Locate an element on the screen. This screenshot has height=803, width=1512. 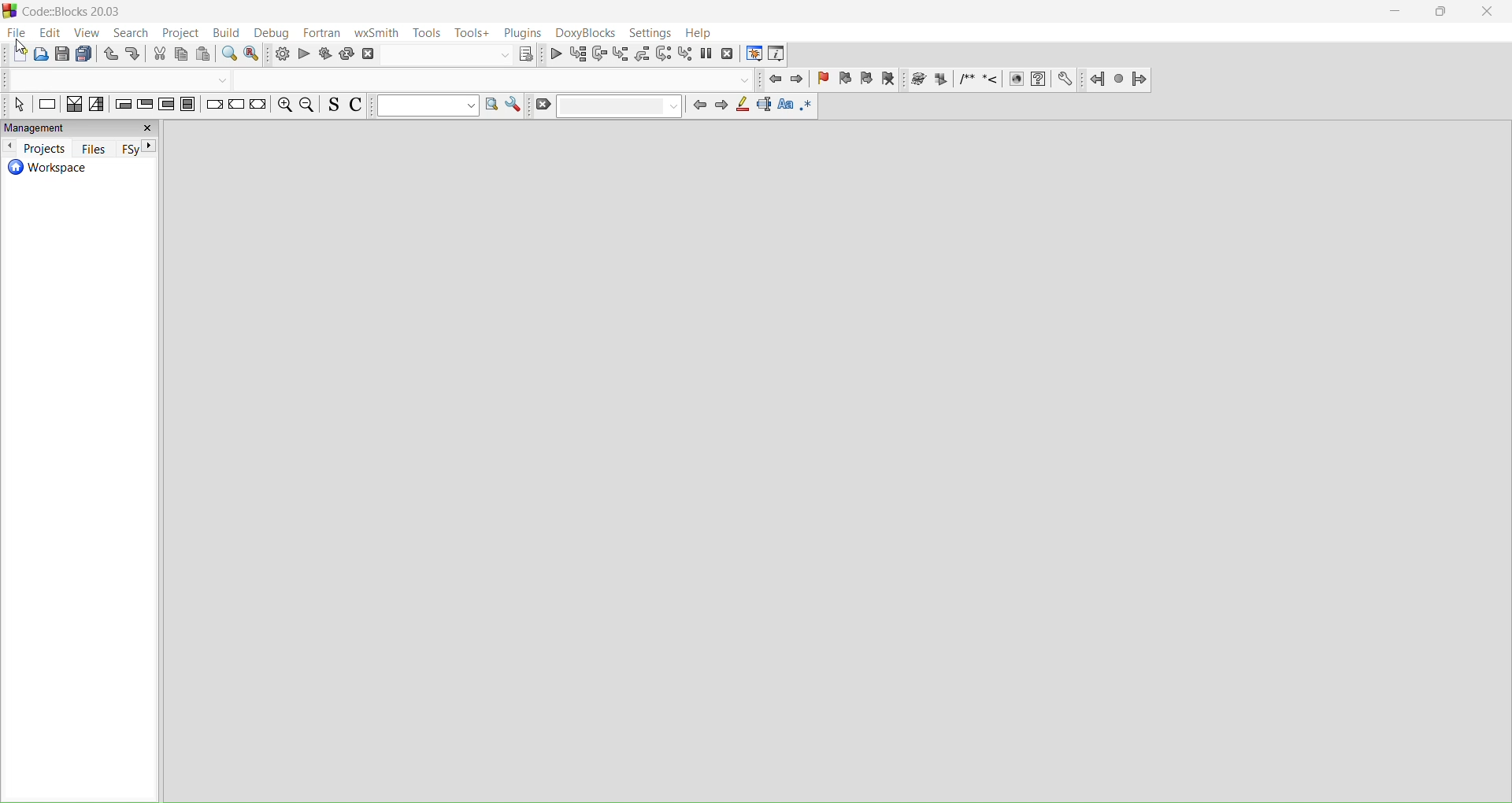
block instruction is located at coordinates (188, 107).